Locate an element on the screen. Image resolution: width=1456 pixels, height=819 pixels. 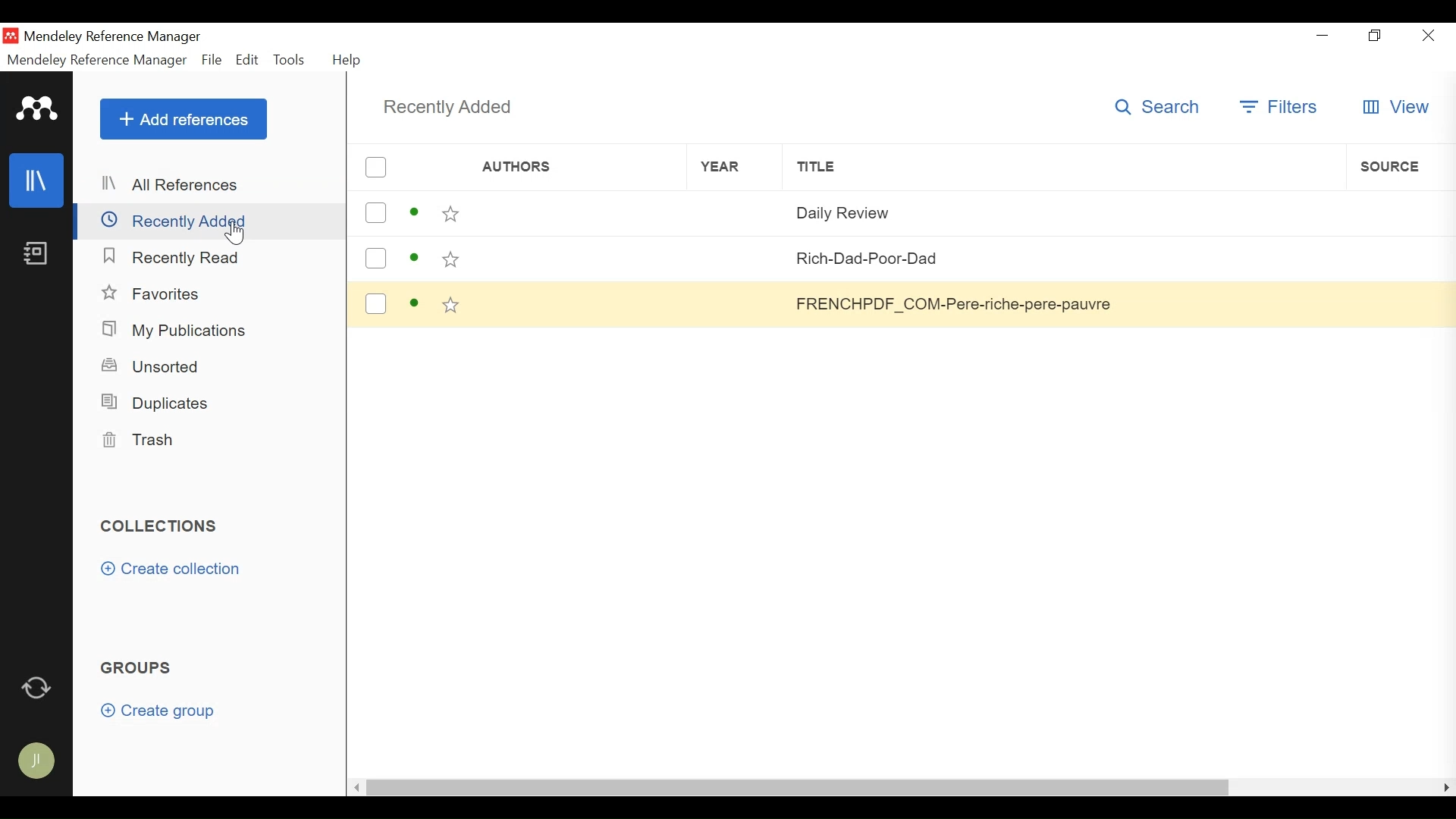
Restore is located at coordinates (1375, 36).